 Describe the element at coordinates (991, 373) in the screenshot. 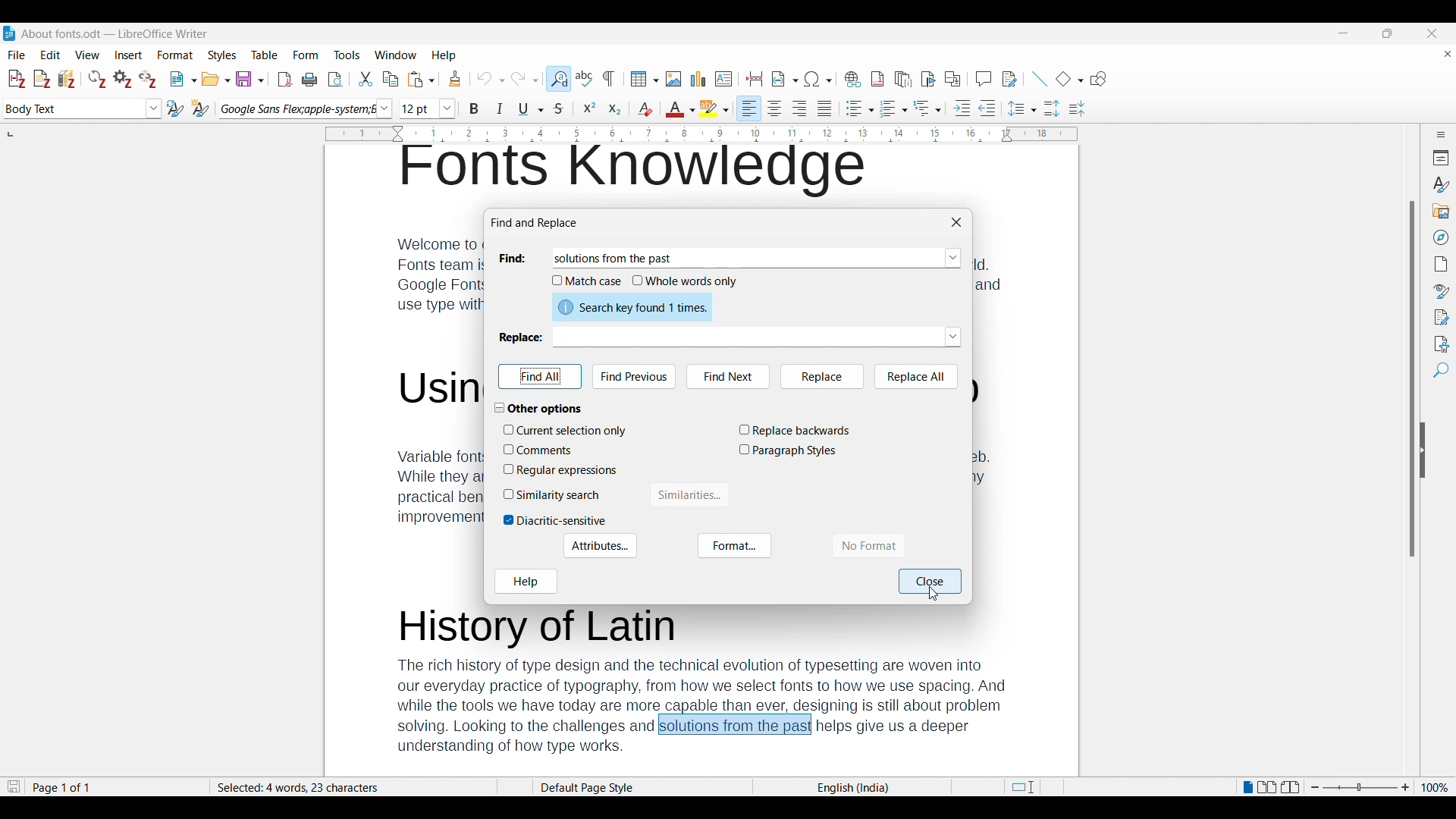

I see `text` at that location.